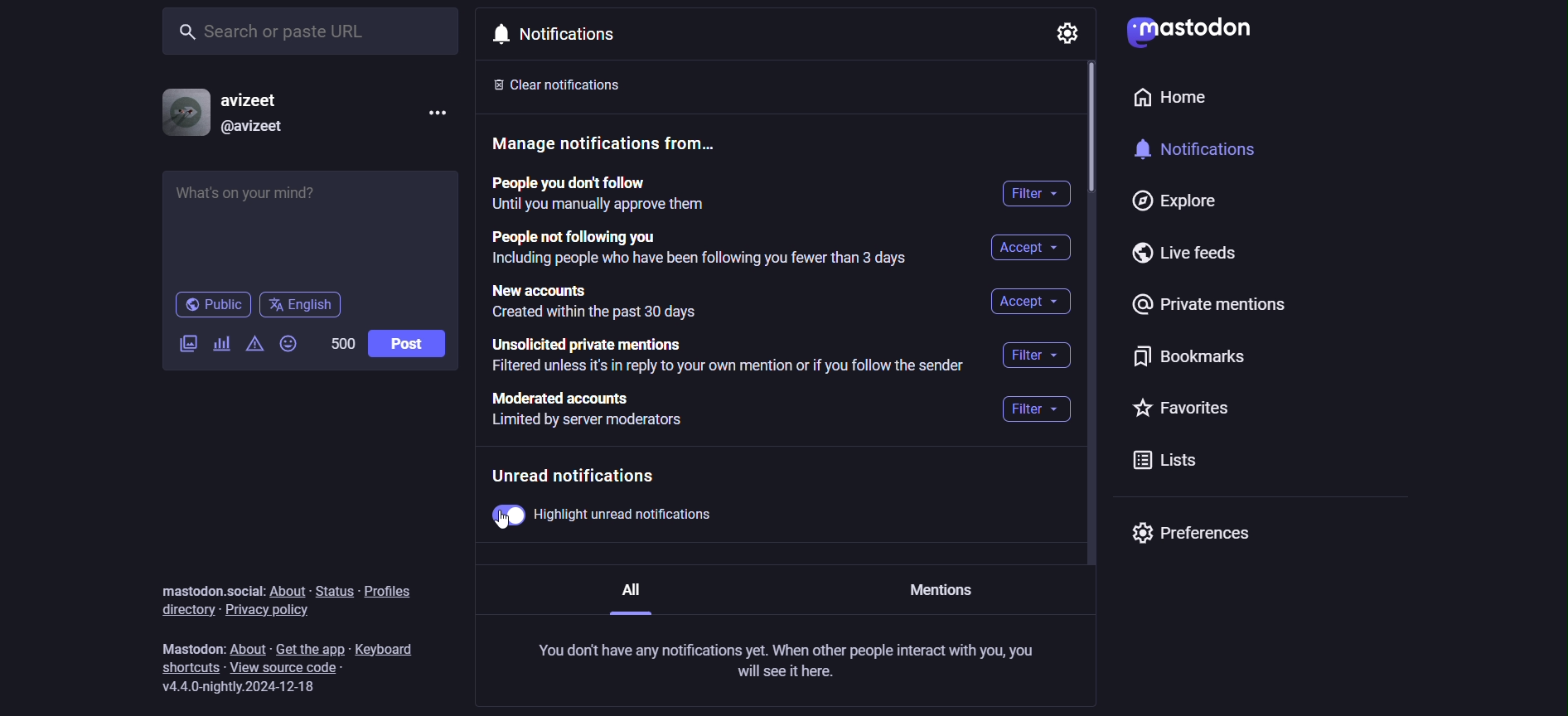 The width and height of the screenshot is (1568, 716). What do you see at coordinates (249, 647) in the screenshot?
I see `about` at bounding box center [249, 647].